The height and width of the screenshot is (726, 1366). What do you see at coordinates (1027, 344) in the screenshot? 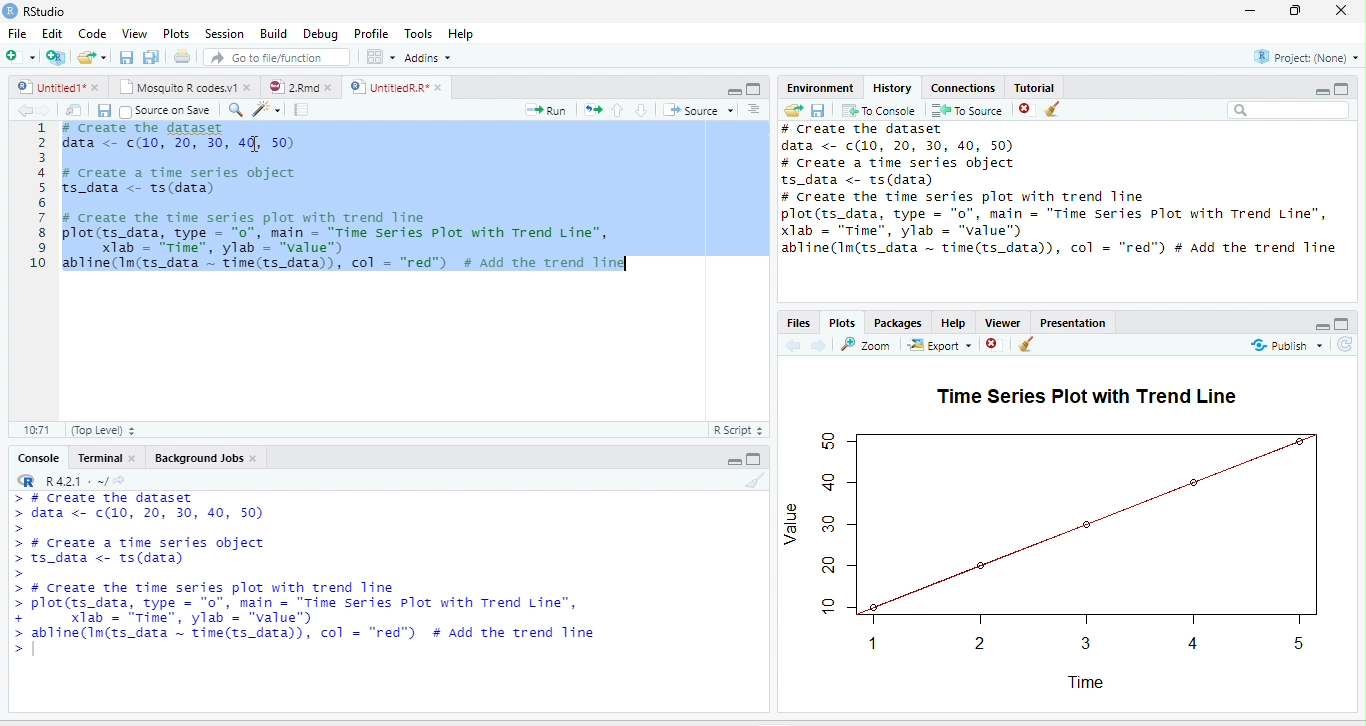
I see `Clear all plots` at bounding box center [1027, 344].